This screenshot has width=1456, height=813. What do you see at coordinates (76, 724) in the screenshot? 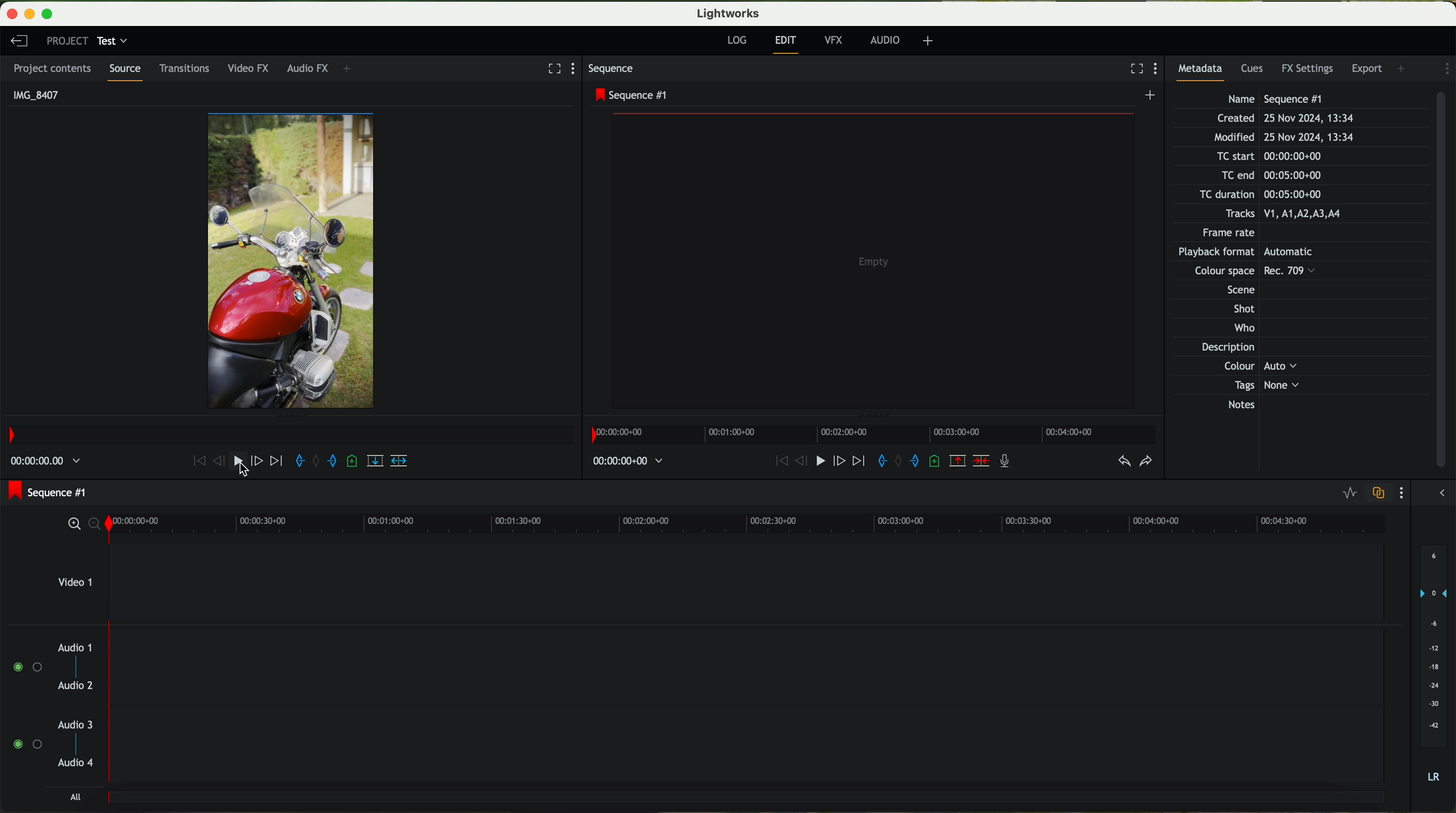
I see `audio 3` at bounding box center [76, 724].